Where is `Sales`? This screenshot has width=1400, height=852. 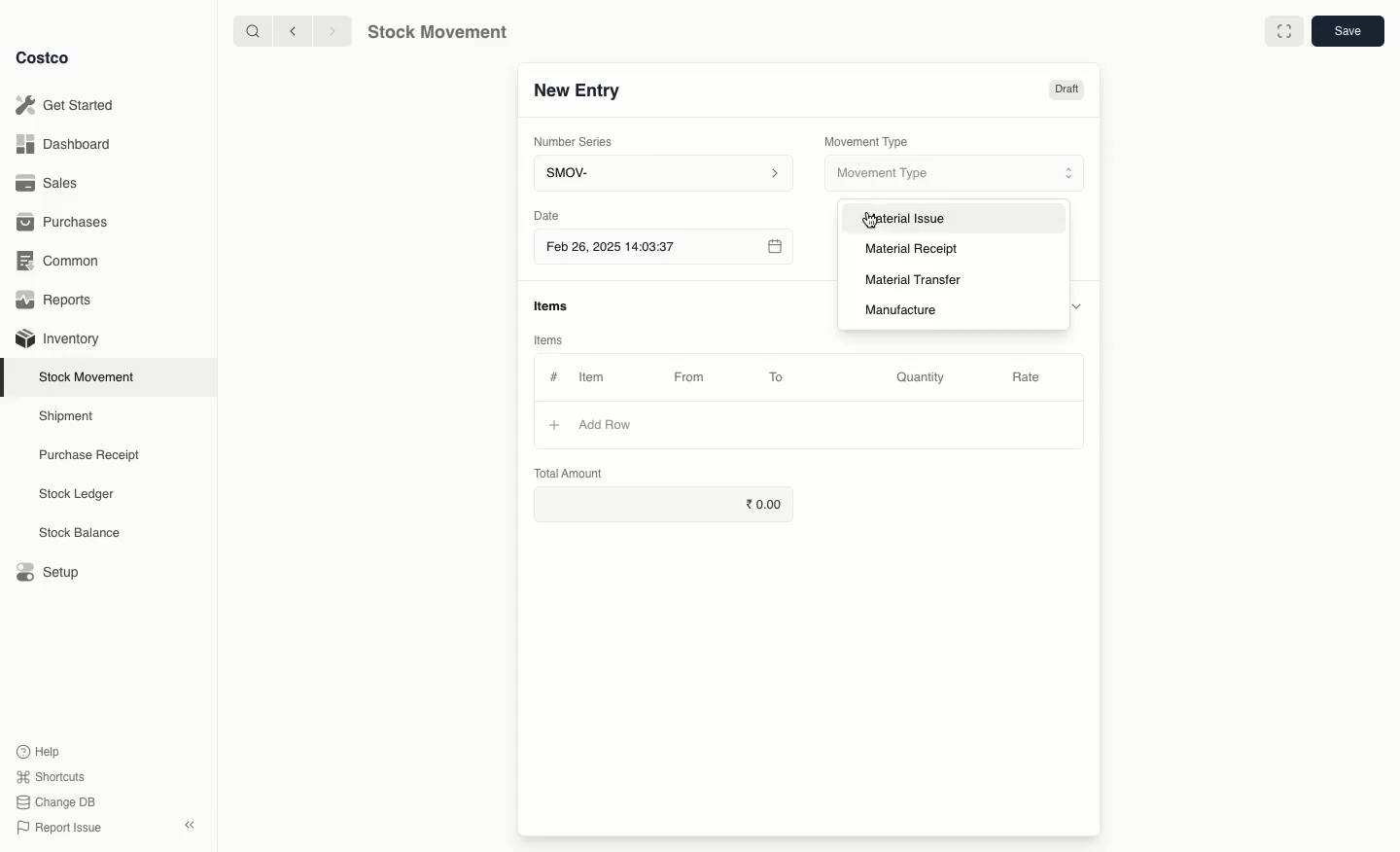
Sales is located at coordinates (50, 182).